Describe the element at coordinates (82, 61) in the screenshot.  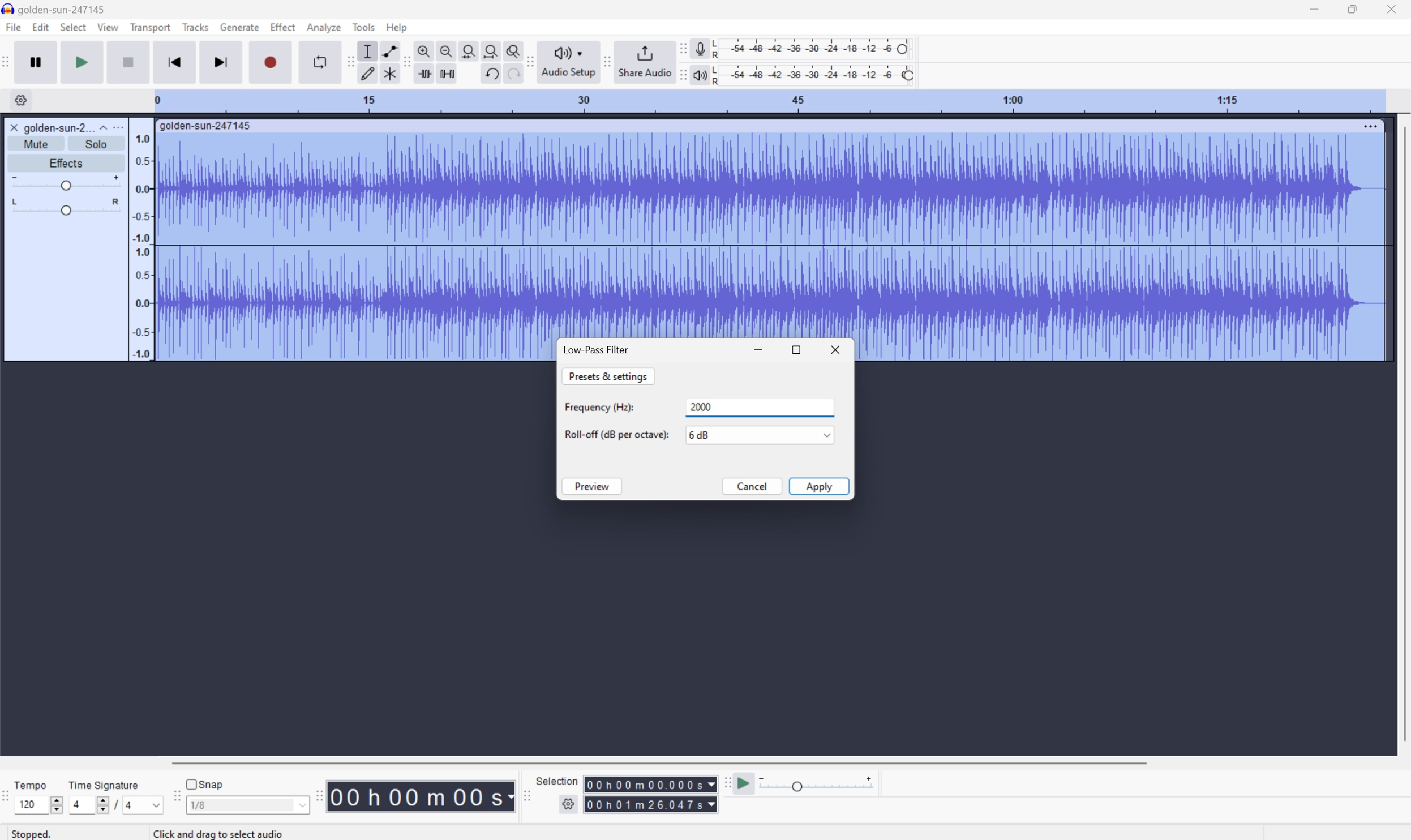
I see `Play` at that location.